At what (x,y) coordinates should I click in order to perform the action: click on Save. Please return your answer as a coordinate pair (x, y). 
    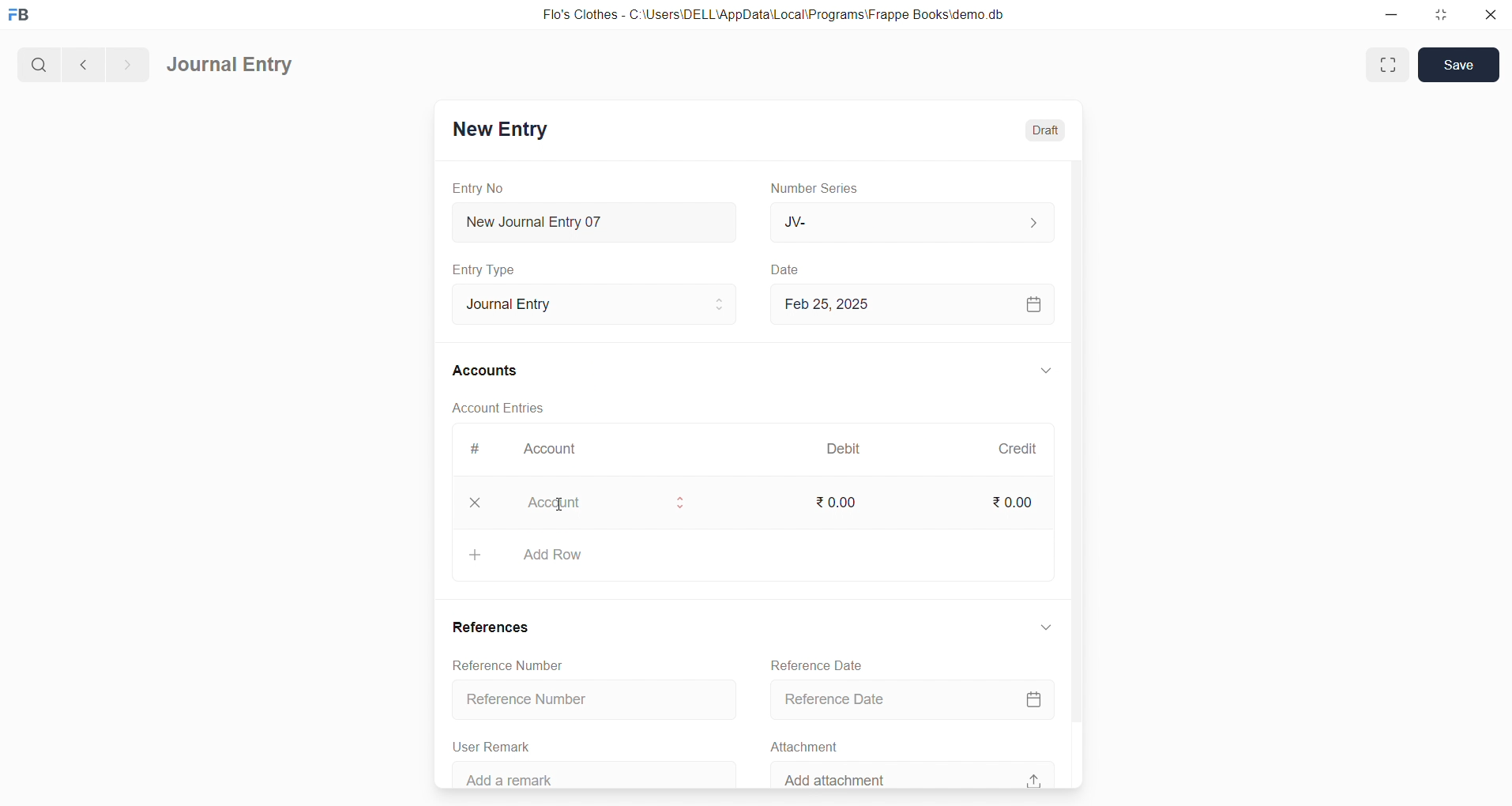
    Looking at the image, I should click on (1459, 65).